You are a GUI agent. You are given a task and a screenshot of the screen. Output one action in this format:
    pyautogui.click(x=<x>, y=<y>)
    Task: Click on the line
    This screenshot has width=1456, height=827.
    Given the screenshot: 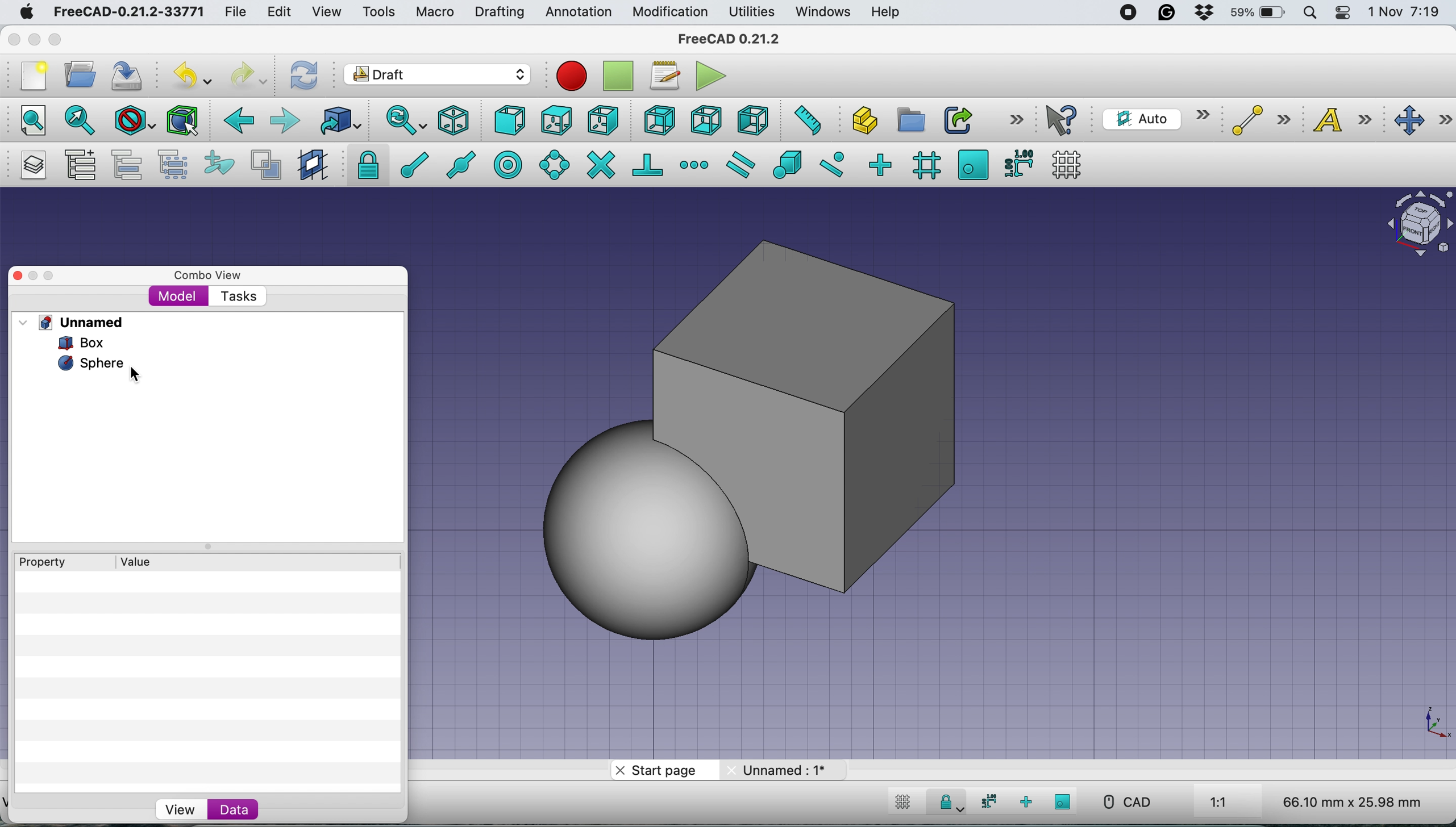 What is the action you would take?
    pyautogui.click(x=1258, y=120)
    